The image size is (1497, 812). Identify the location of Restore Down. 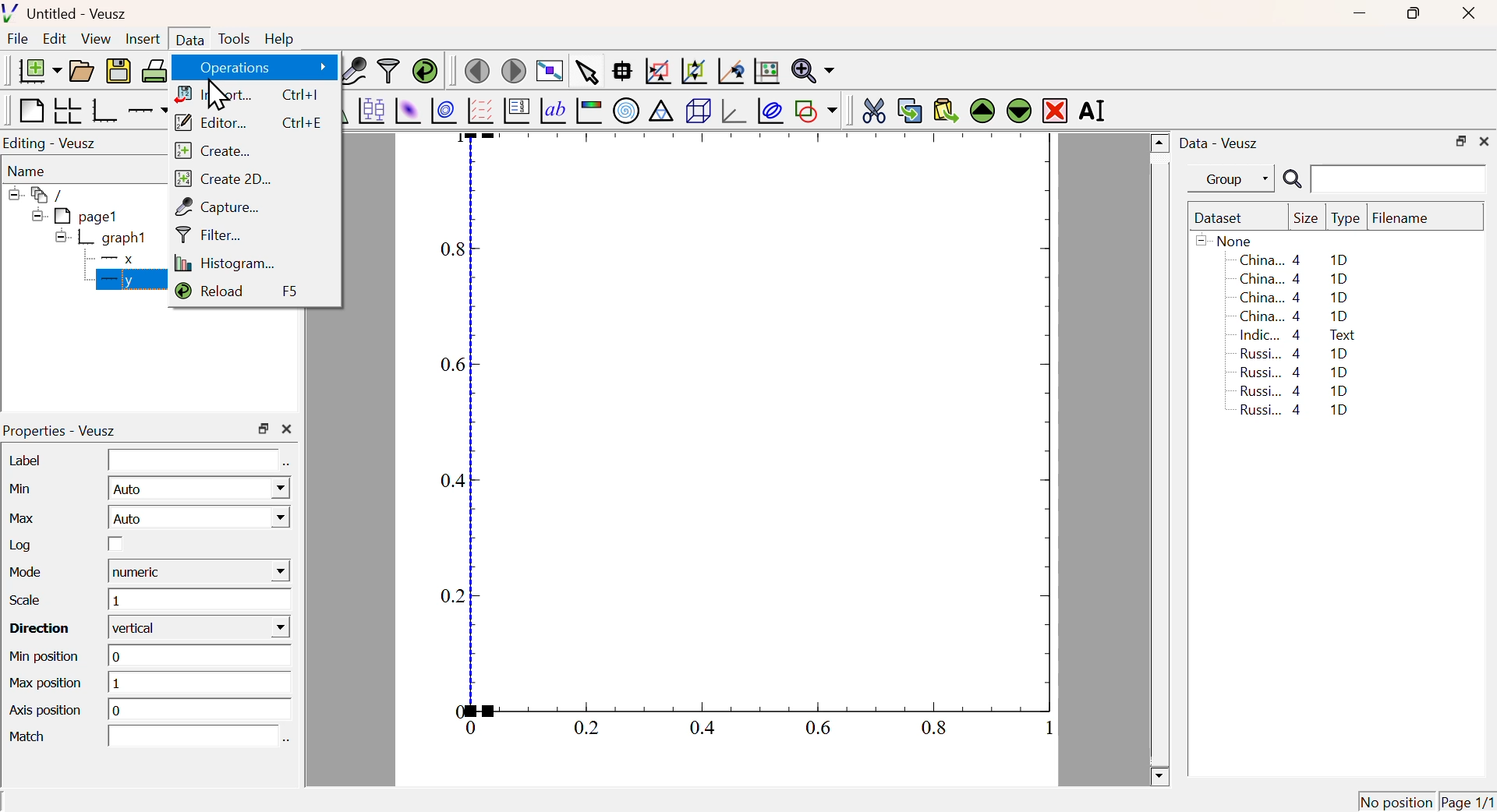
(1411, 13).